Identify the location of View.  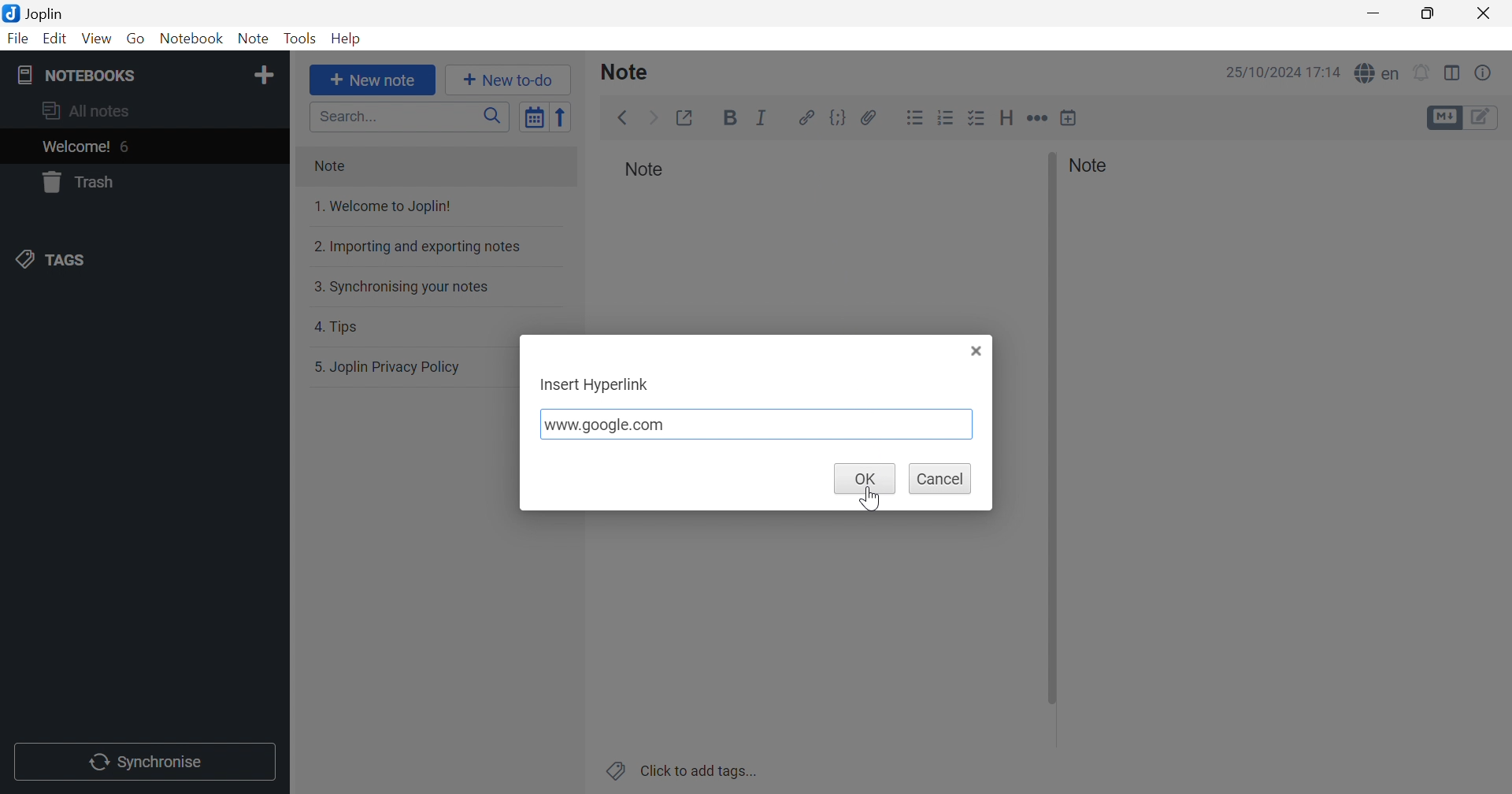
(97, 39).